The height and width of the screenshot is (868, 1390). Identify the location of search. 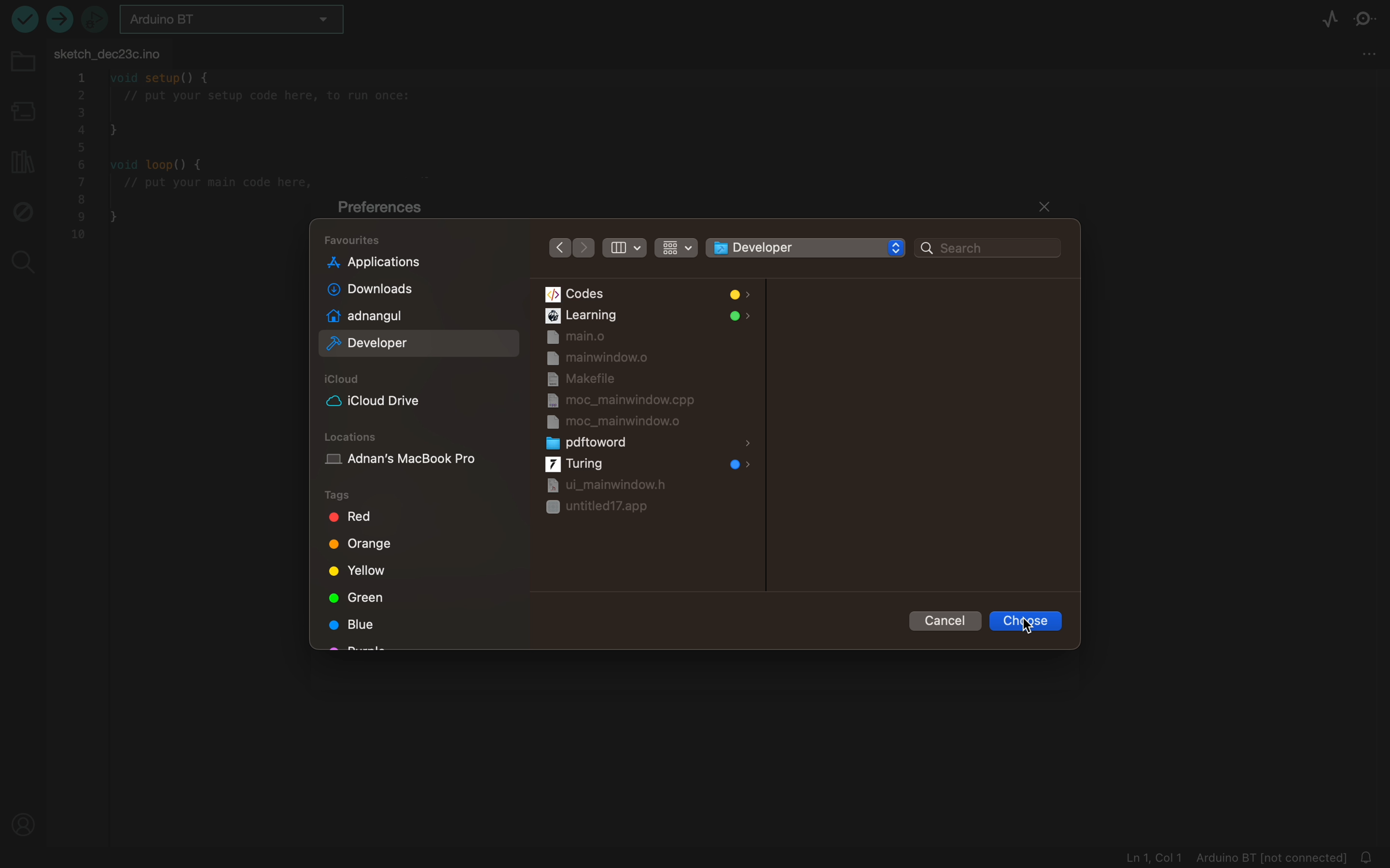
(24, 262).